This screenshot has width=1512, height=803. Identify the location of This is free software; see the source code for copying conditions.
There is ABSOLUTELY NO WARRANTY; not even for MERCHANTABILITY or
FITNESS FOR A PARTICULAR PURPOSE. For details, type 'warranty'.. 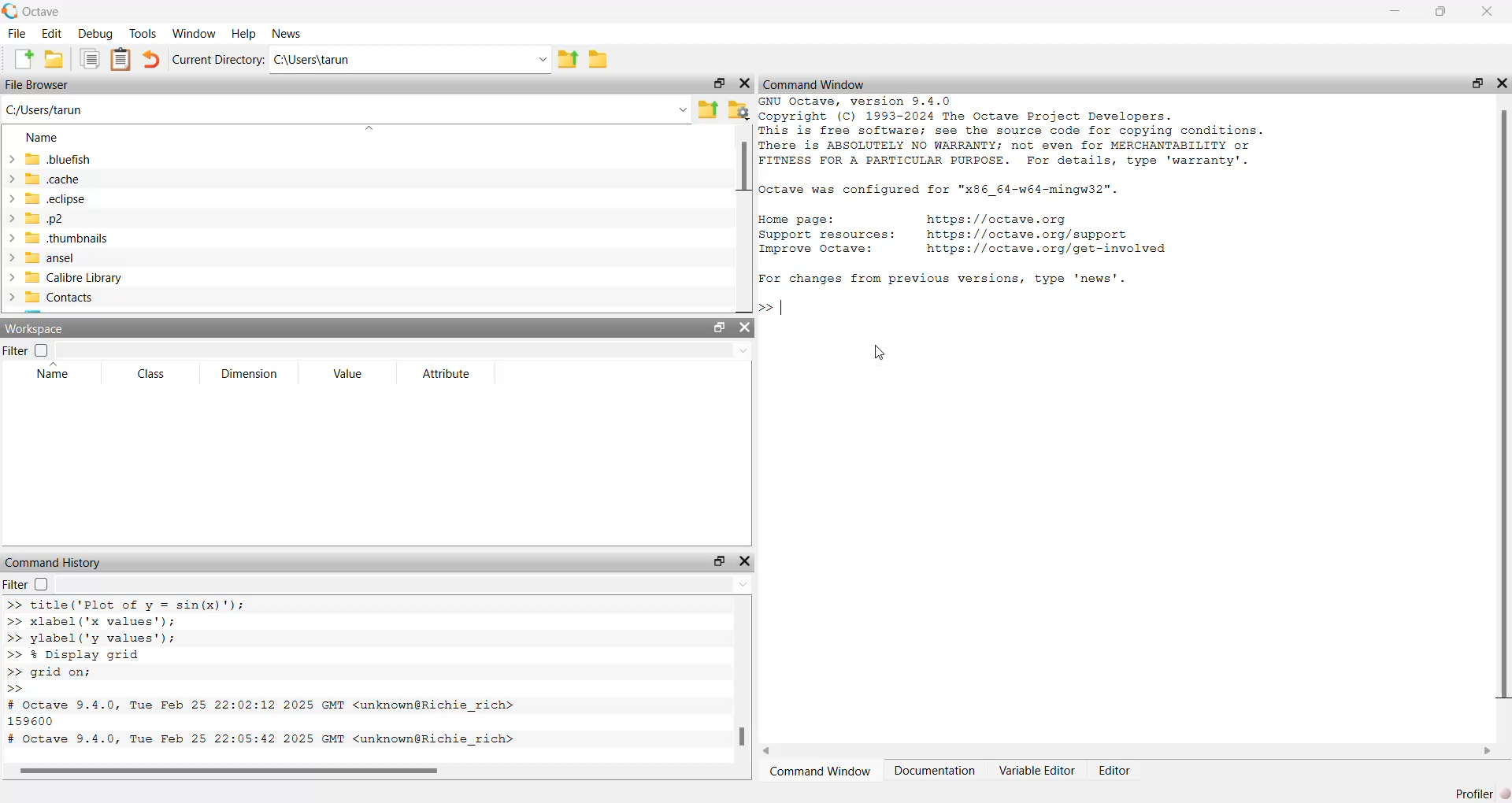
(1010, 147).